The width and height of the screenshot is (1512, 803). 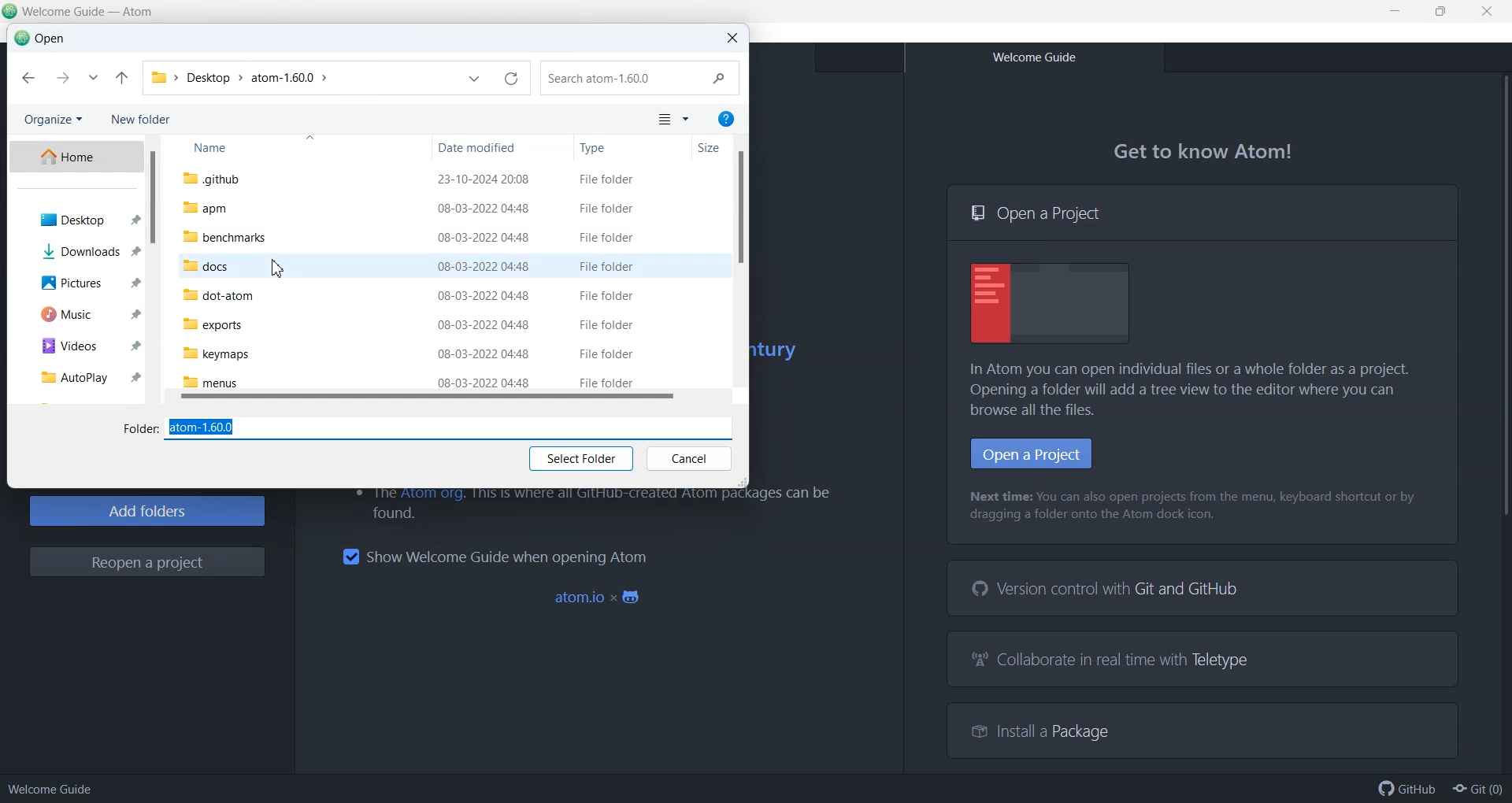 I want to click on Open Project, so click(x=1032, y=453).